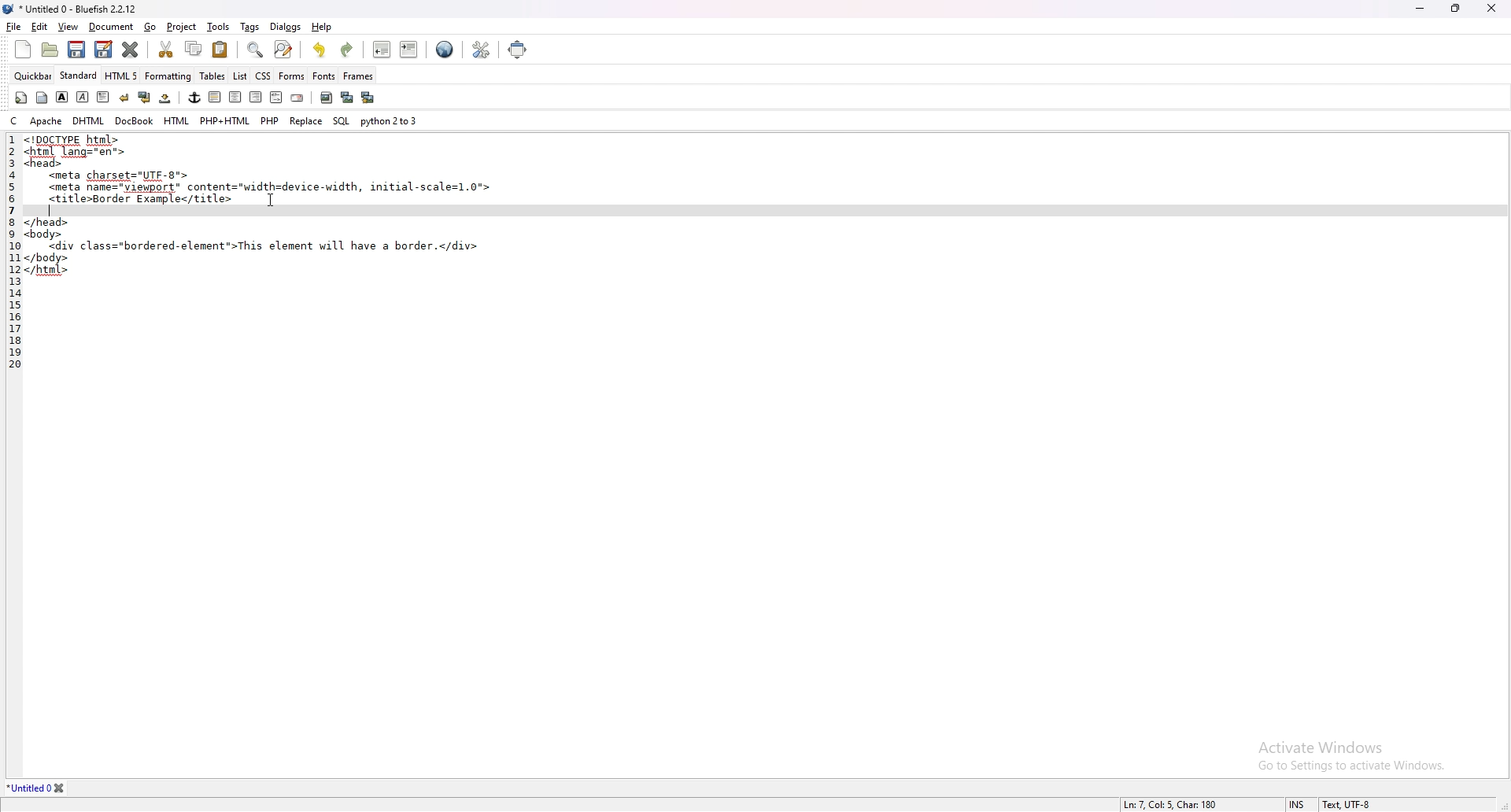 This screenshot has width=1511, height=812. What do you see at coordinates (21, 98) in the screenshot?
I see `quickstart` at bounding box center [21, 98].